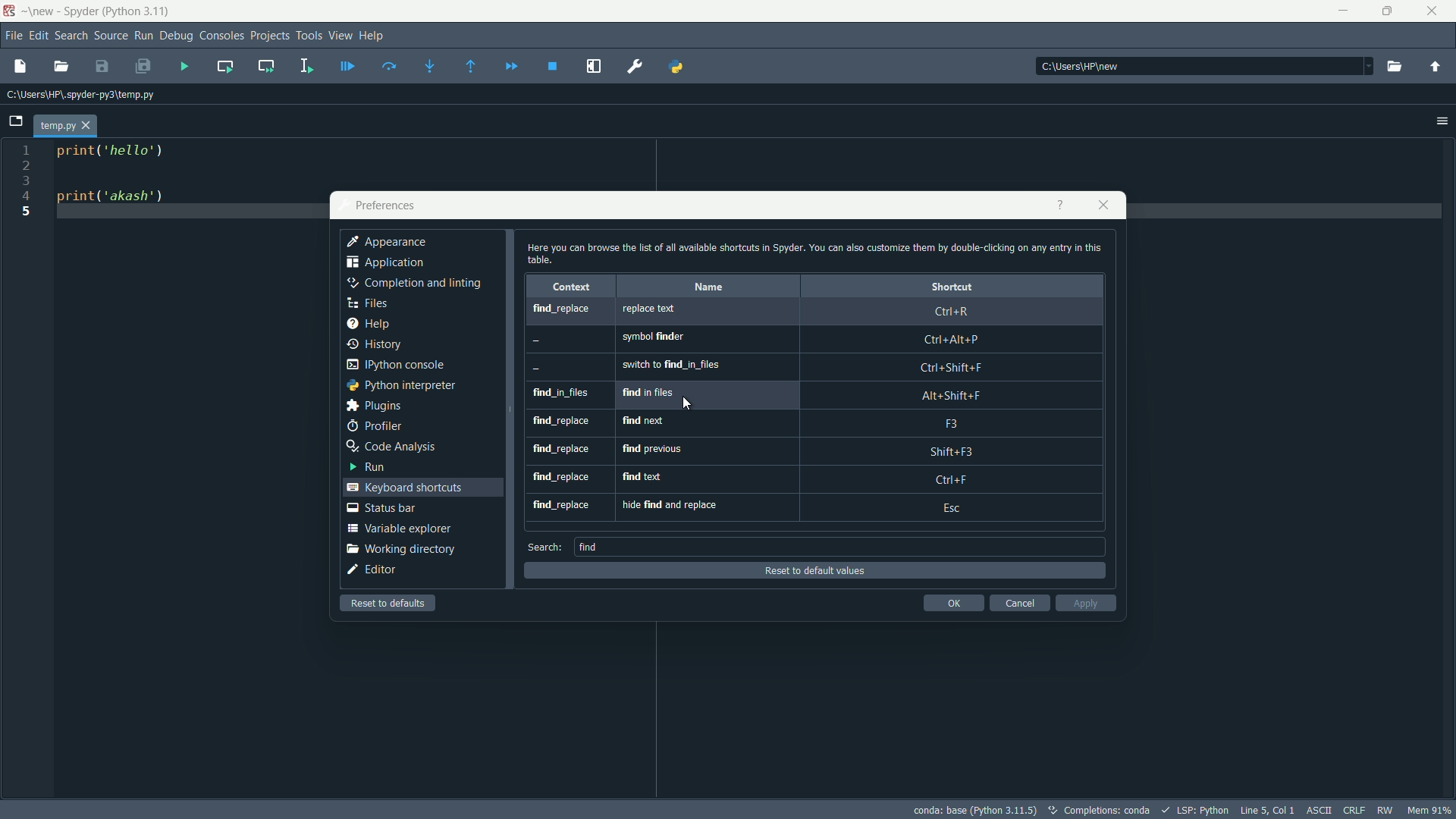  Describe the element at coordinates (27, 165) in the screenshot. I see `2` at that location.